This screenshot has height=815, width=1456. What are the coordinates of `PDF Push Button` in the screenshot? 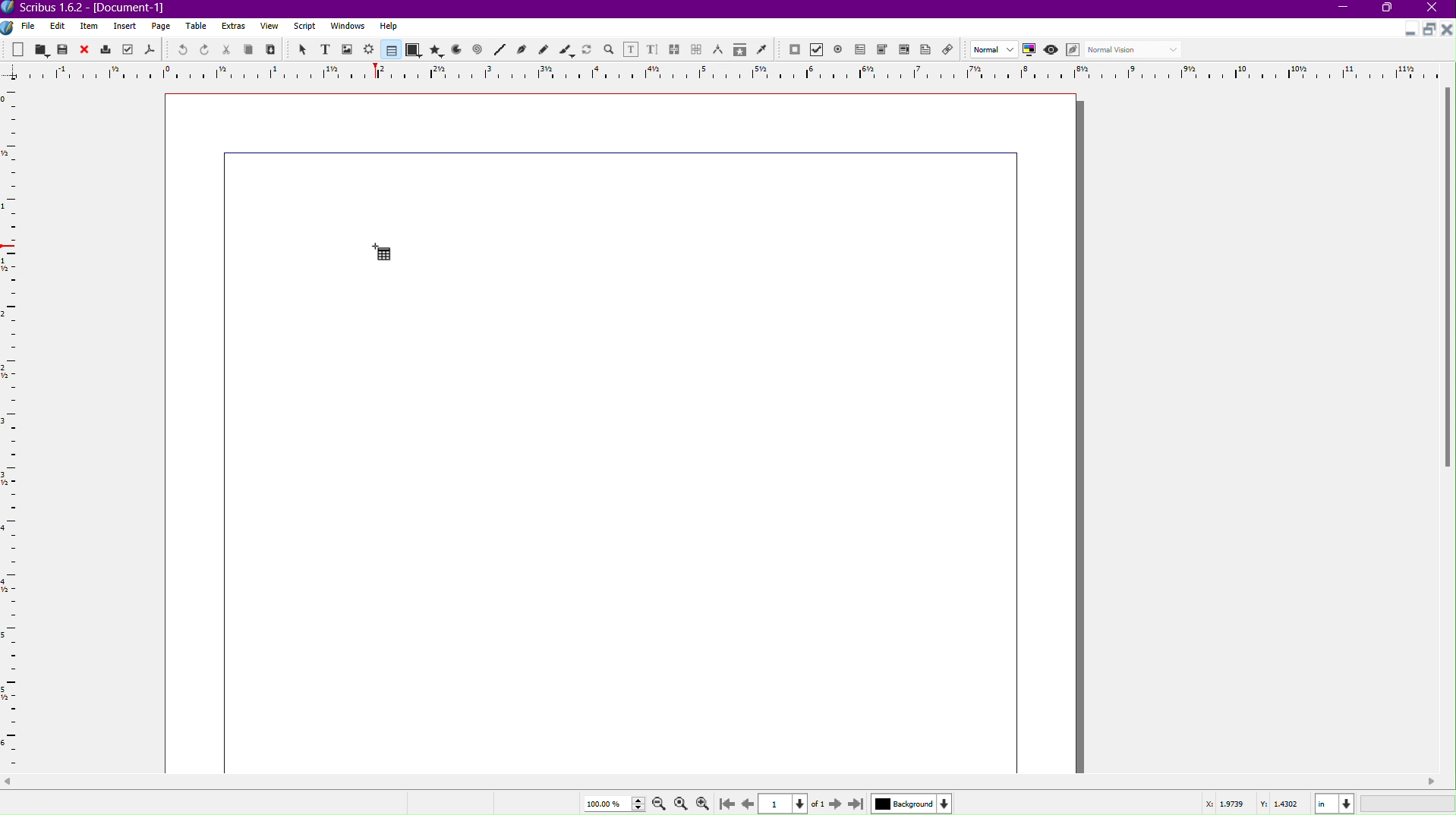 It's located at (794, 50).